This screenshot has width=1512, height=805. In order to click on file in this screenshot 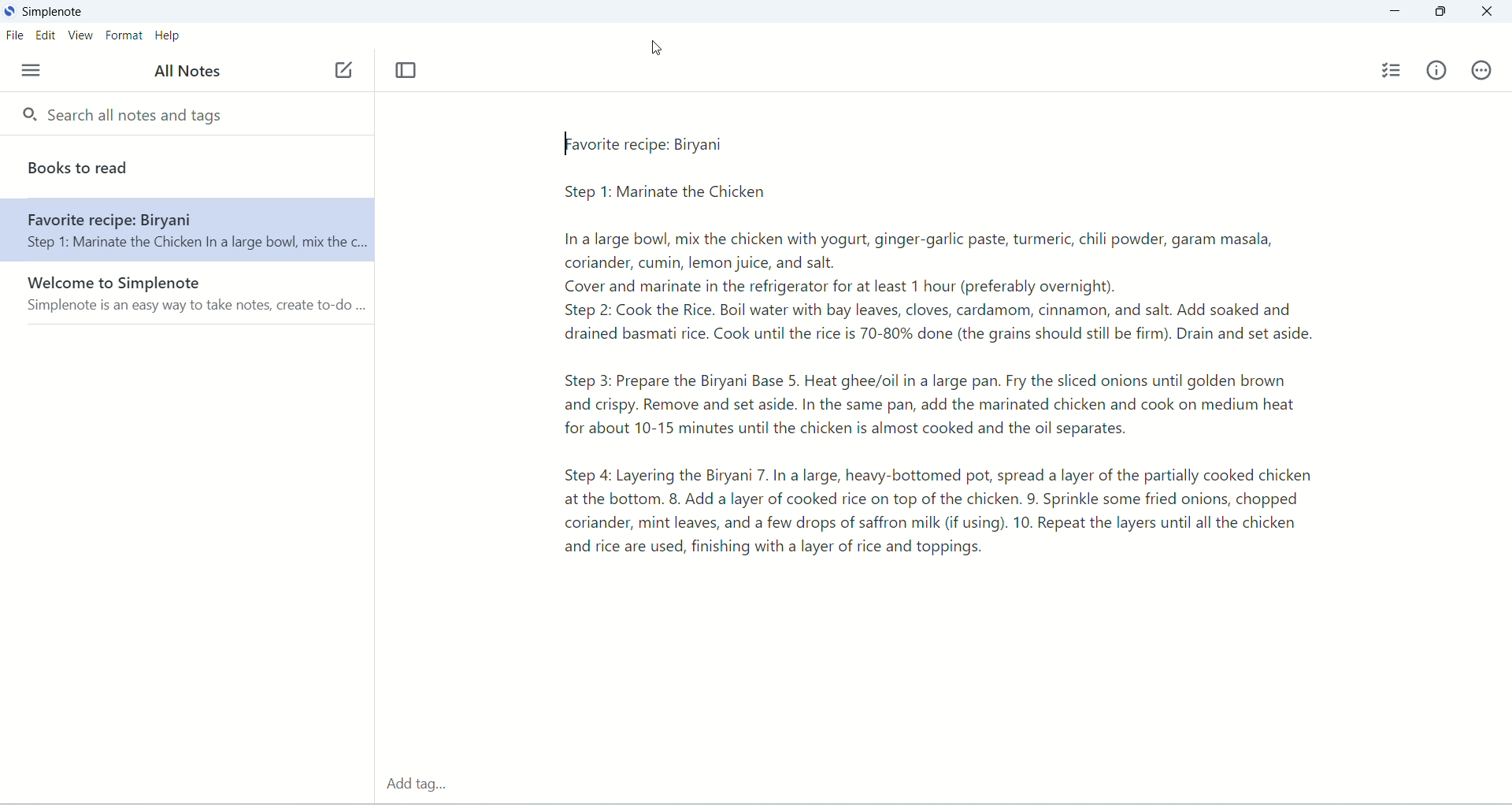, I will do `click(13, 38)`.